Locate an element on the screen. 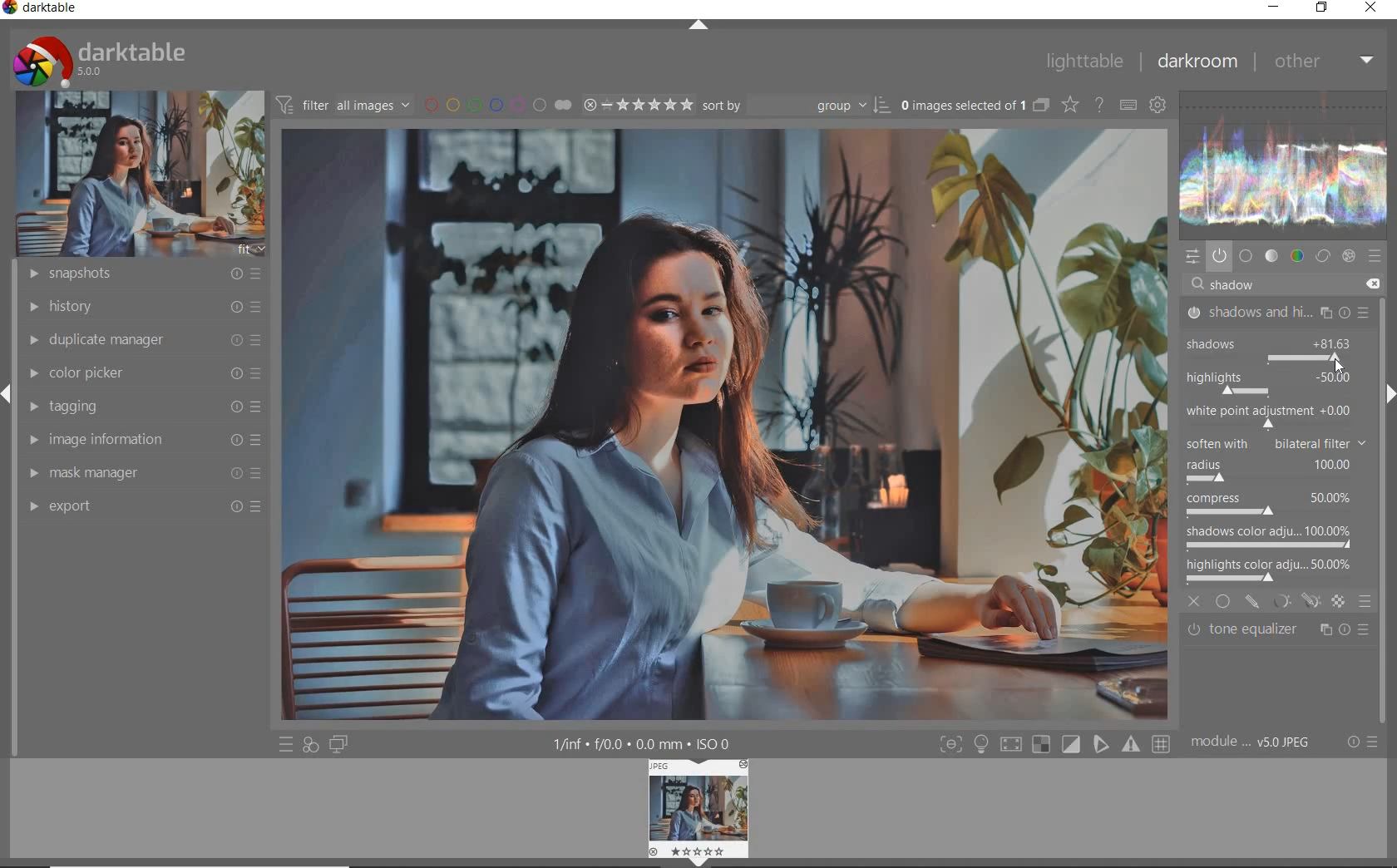 This screenshot has height=868, width=1397. shadows & highlights is located at coordinates (1279, 312).